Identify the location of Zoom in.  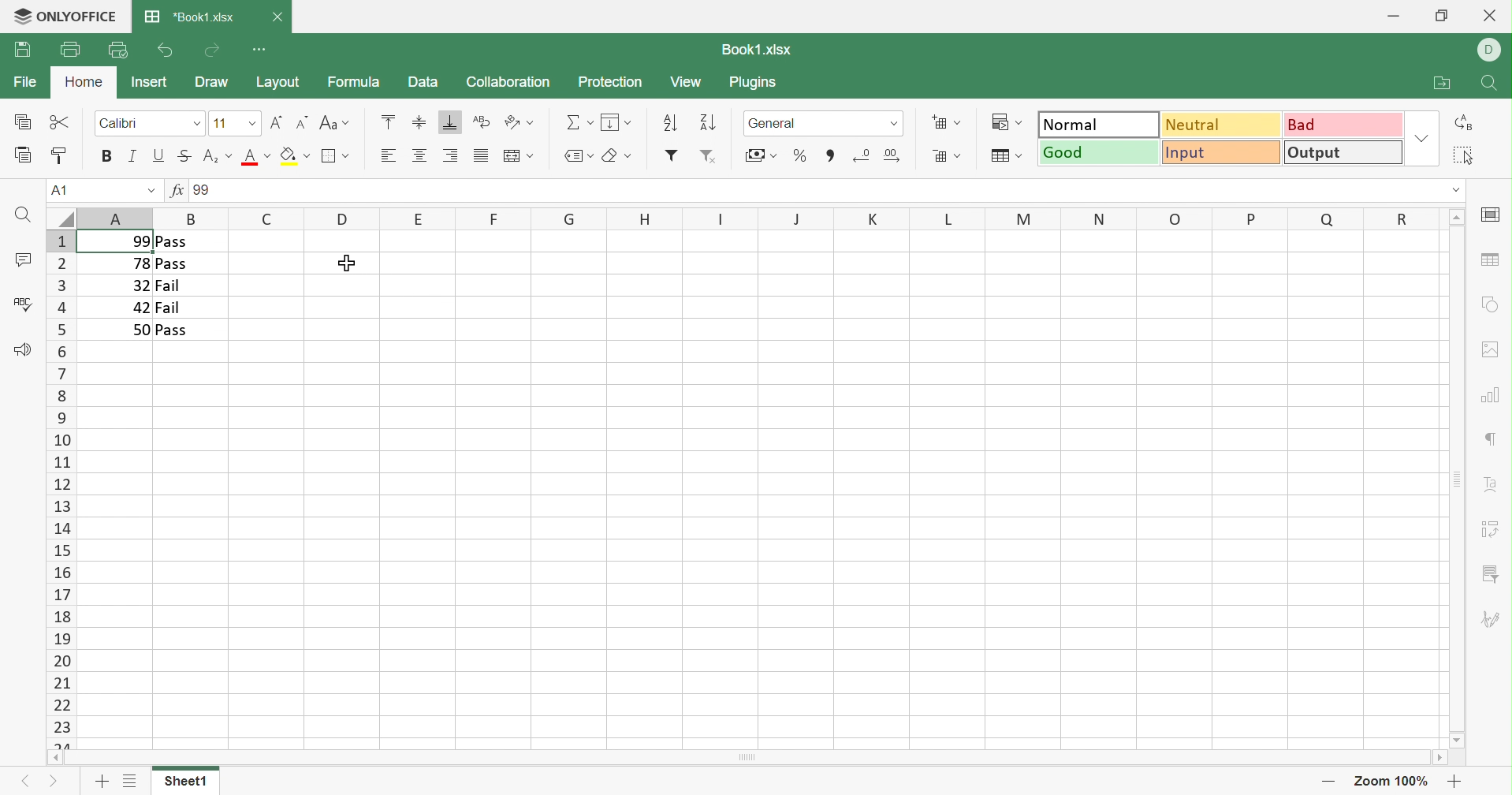
(1455, 781).